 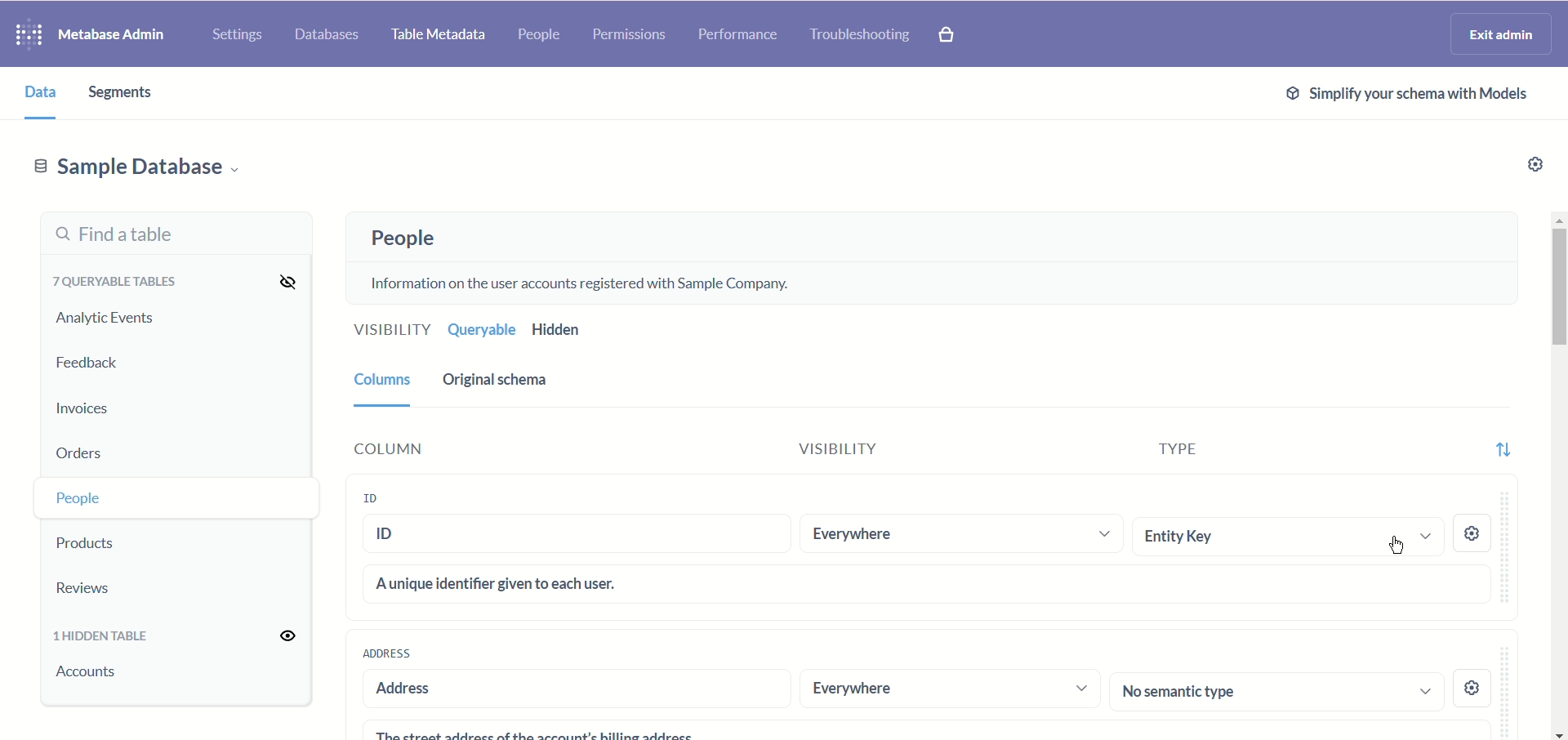 What do you see at coordinates (1397, 544) in the screenshot?
I see `cursor` at bounding box center [1397, 544].